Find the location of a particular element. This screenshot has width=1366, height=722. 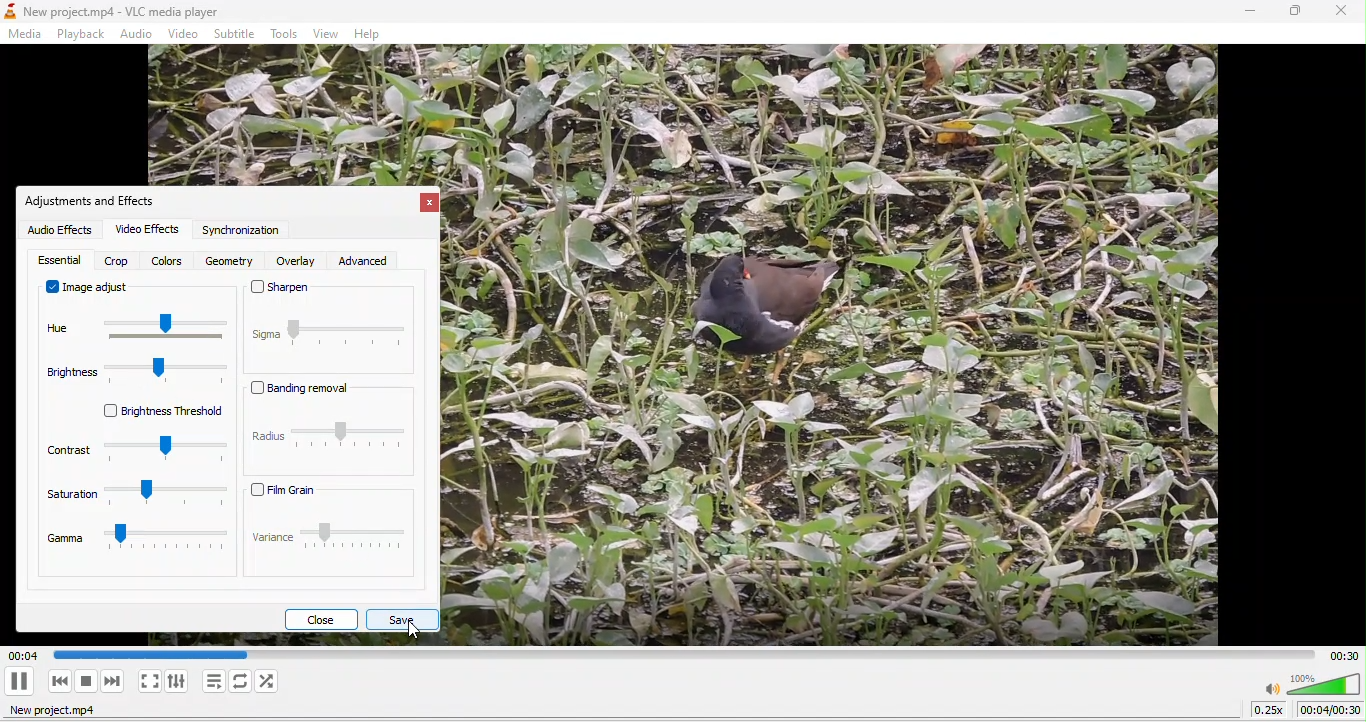

0.25 x is located at coordinates (1264, 713).